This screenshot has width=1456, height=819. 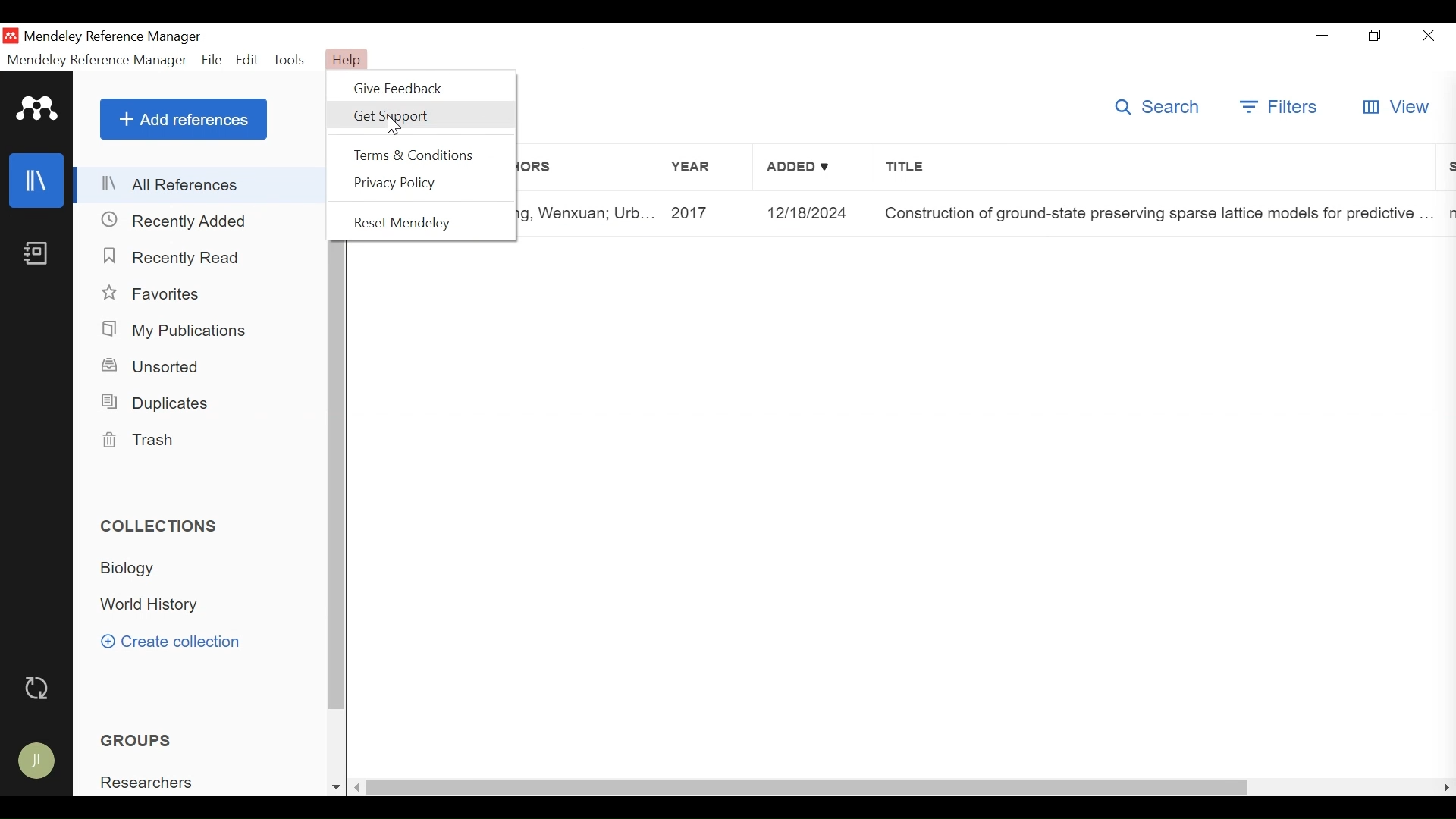 What do you see at coordinates (184, 119) in the screenshot?
I see `Add References` at bounding box center [184, 119].